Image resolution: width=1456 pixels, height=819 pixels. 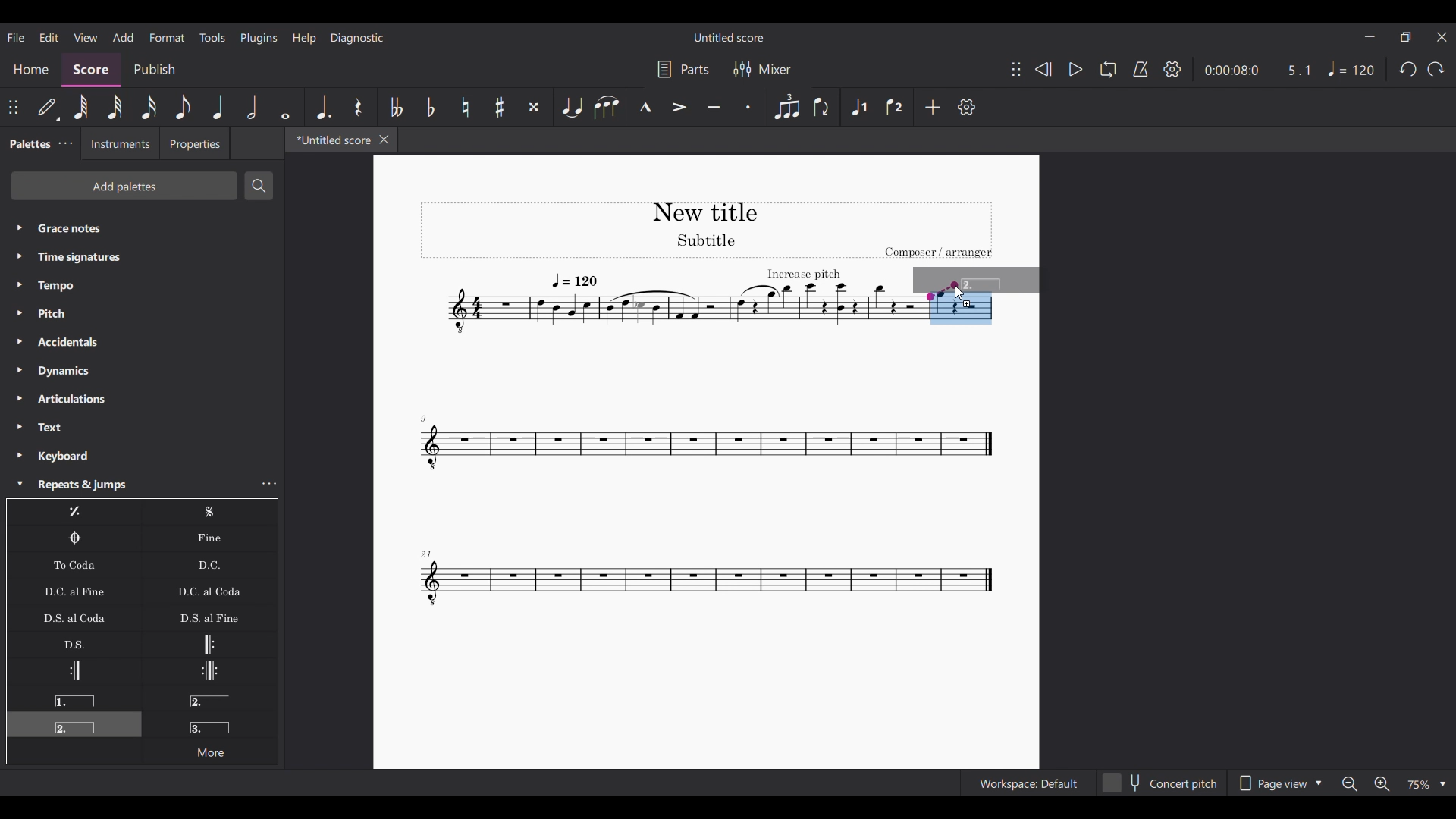 What do you see at coordinates (1298, 71) in the screenshot?
I see `Current ratio` at bounding box center [1298, 71].